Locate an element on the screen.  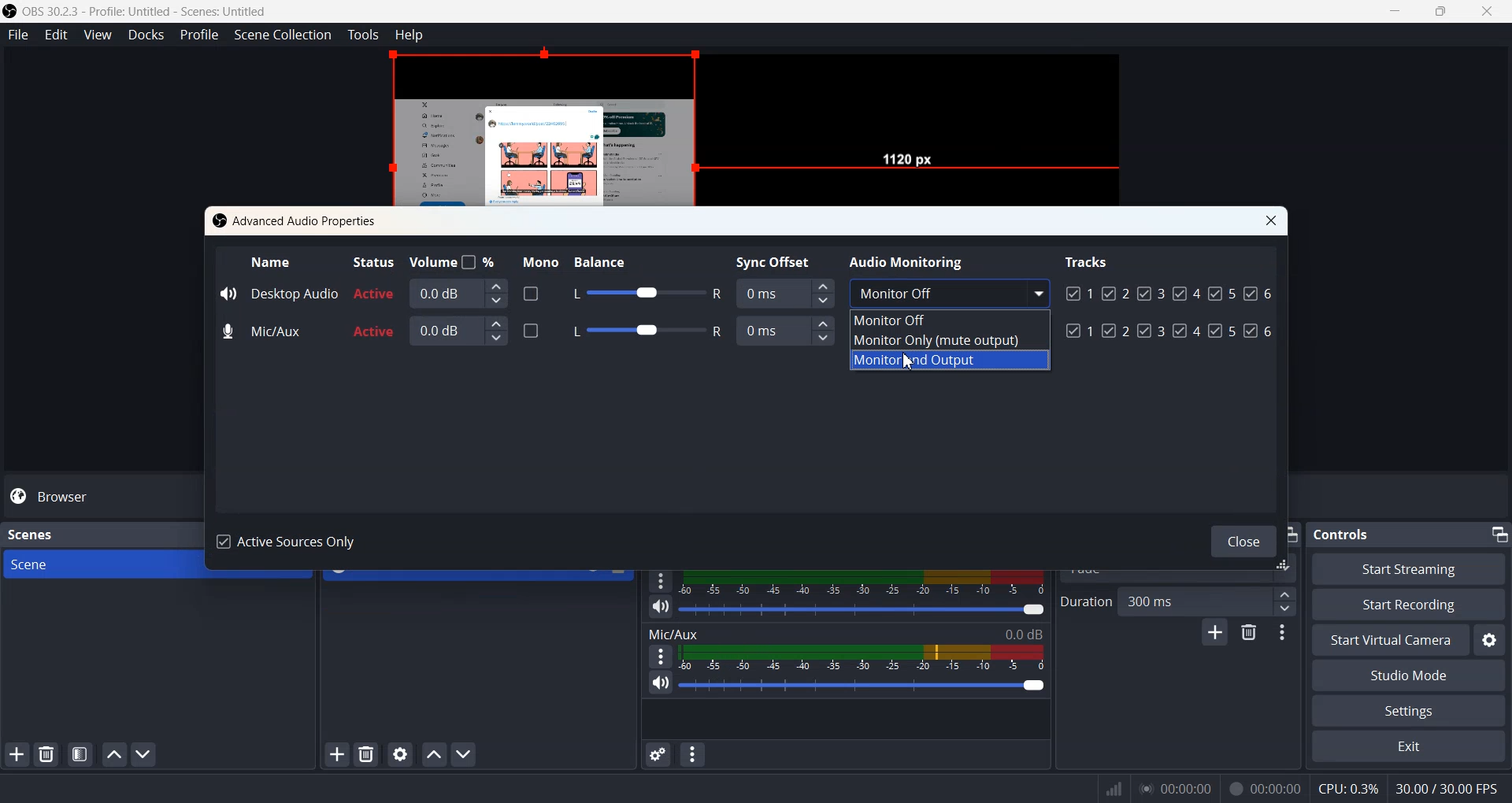
Add configurable transistion is located at coordinates (1214, 635).